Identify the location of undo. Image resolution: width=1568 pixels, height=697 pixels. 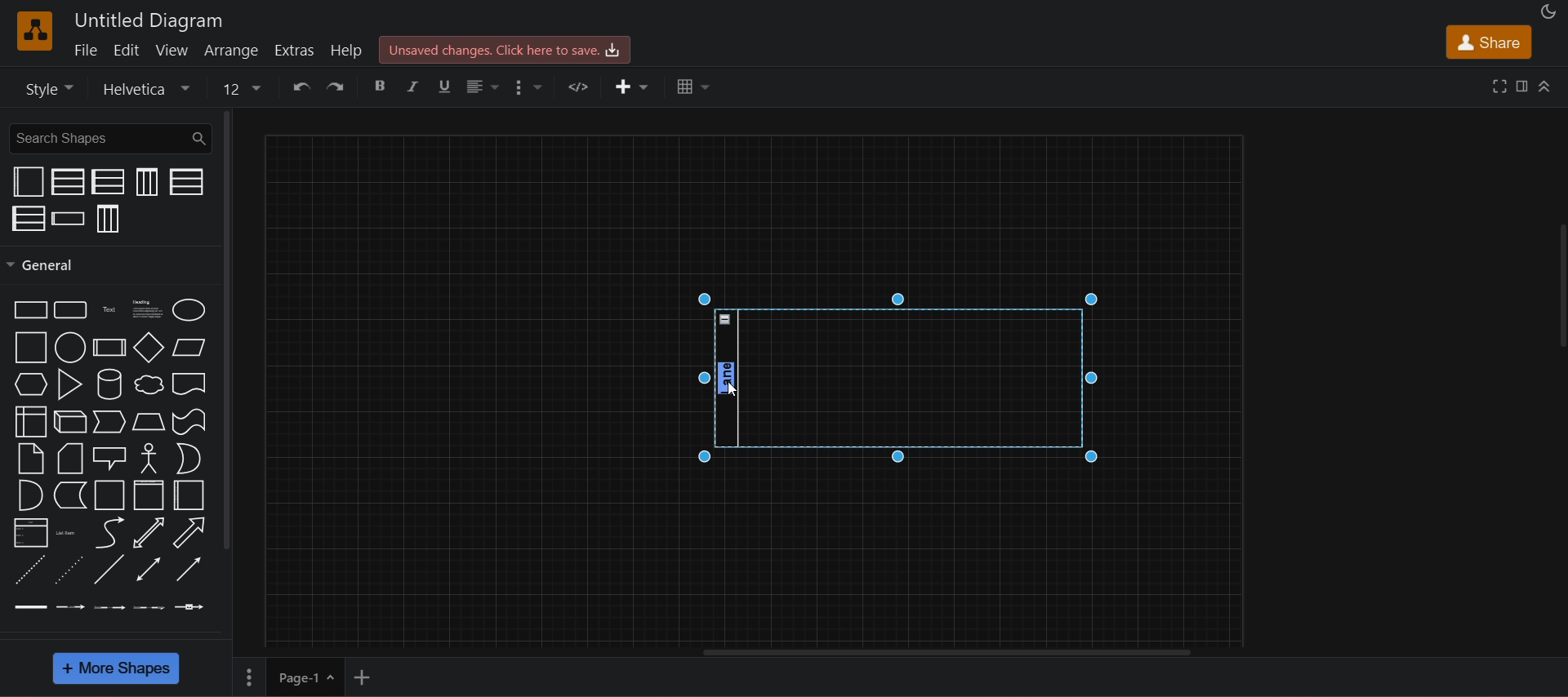
(297, 87).